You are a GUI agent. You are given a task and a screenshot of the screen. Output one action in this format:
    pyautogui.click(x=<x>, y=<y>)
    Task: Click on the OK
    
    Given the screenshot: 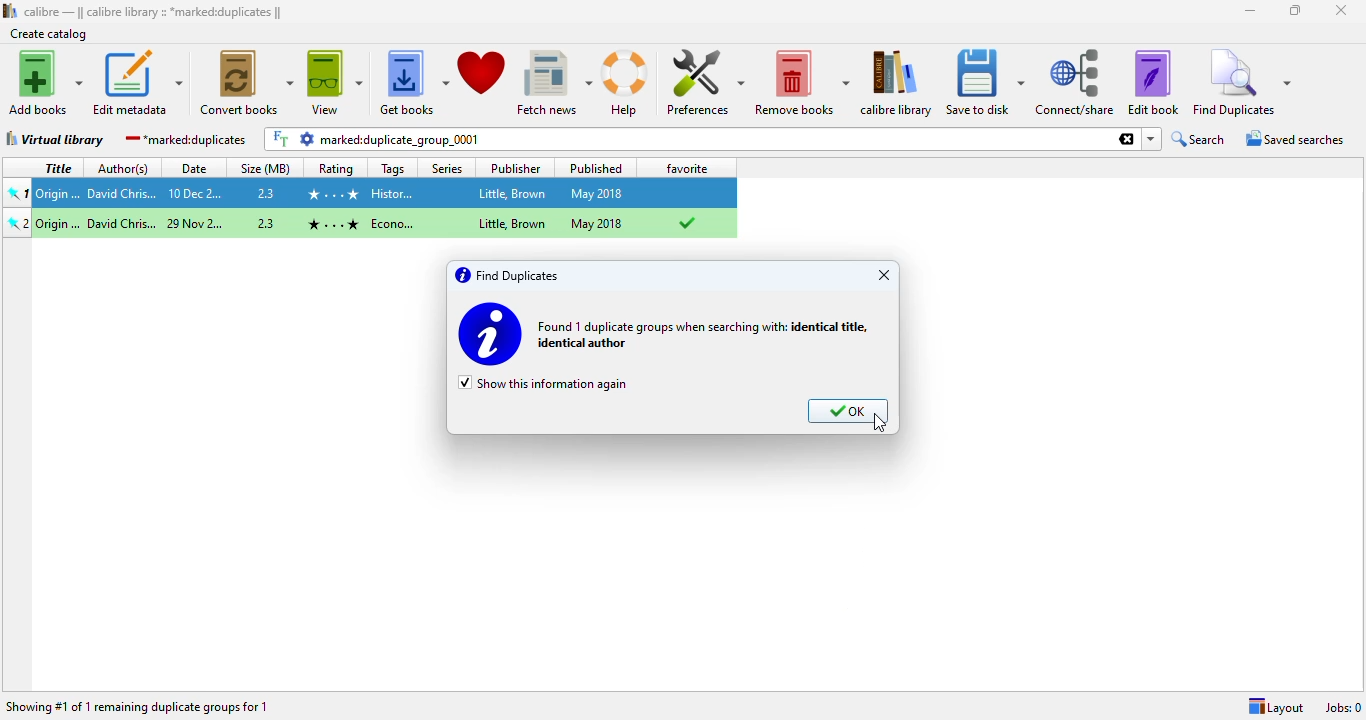 What is the action you would take?
    pyautogui.click(x=847, y=411)
    